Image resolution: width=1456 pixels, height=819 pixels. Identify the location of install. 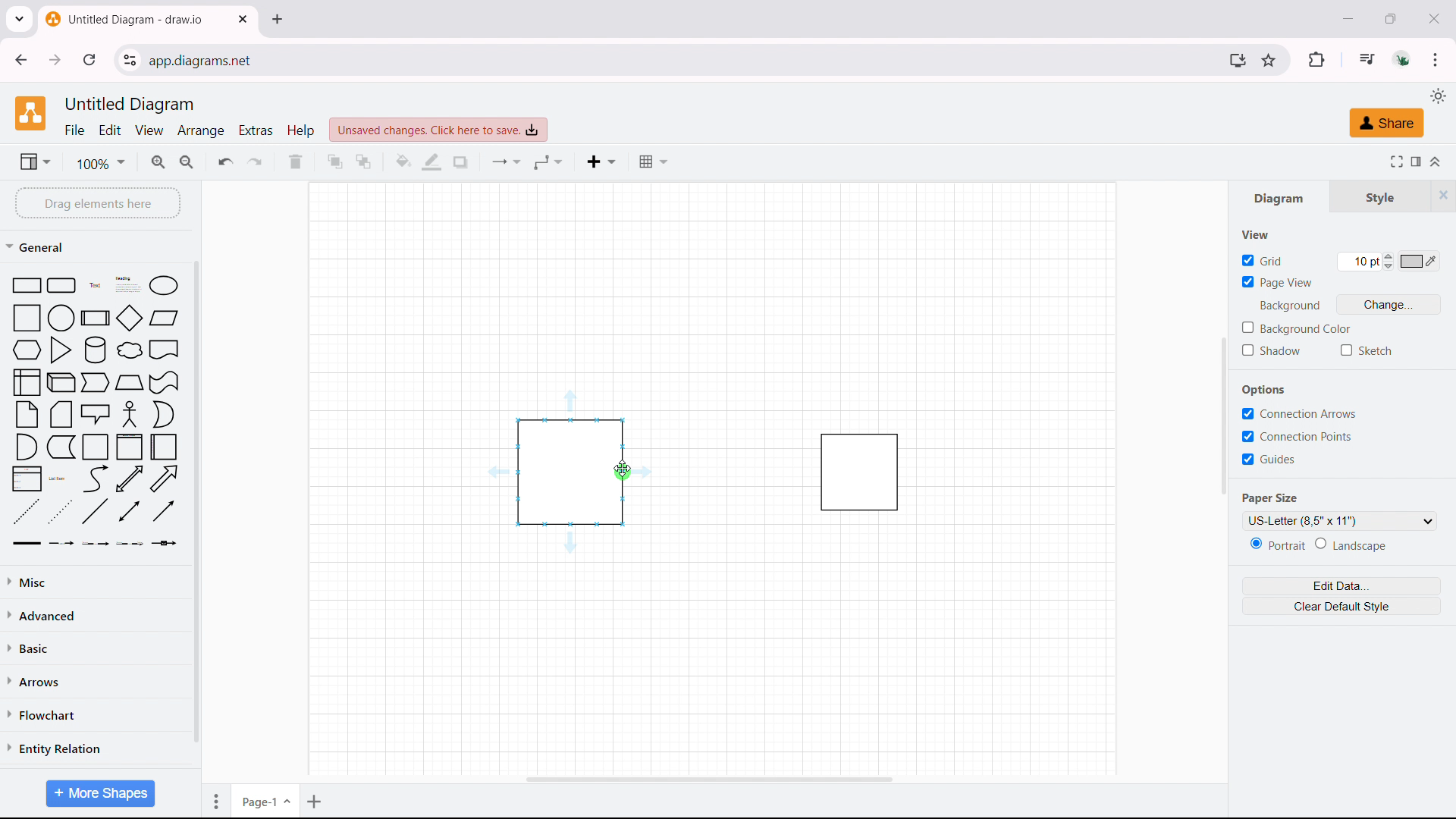
(1237, 60).